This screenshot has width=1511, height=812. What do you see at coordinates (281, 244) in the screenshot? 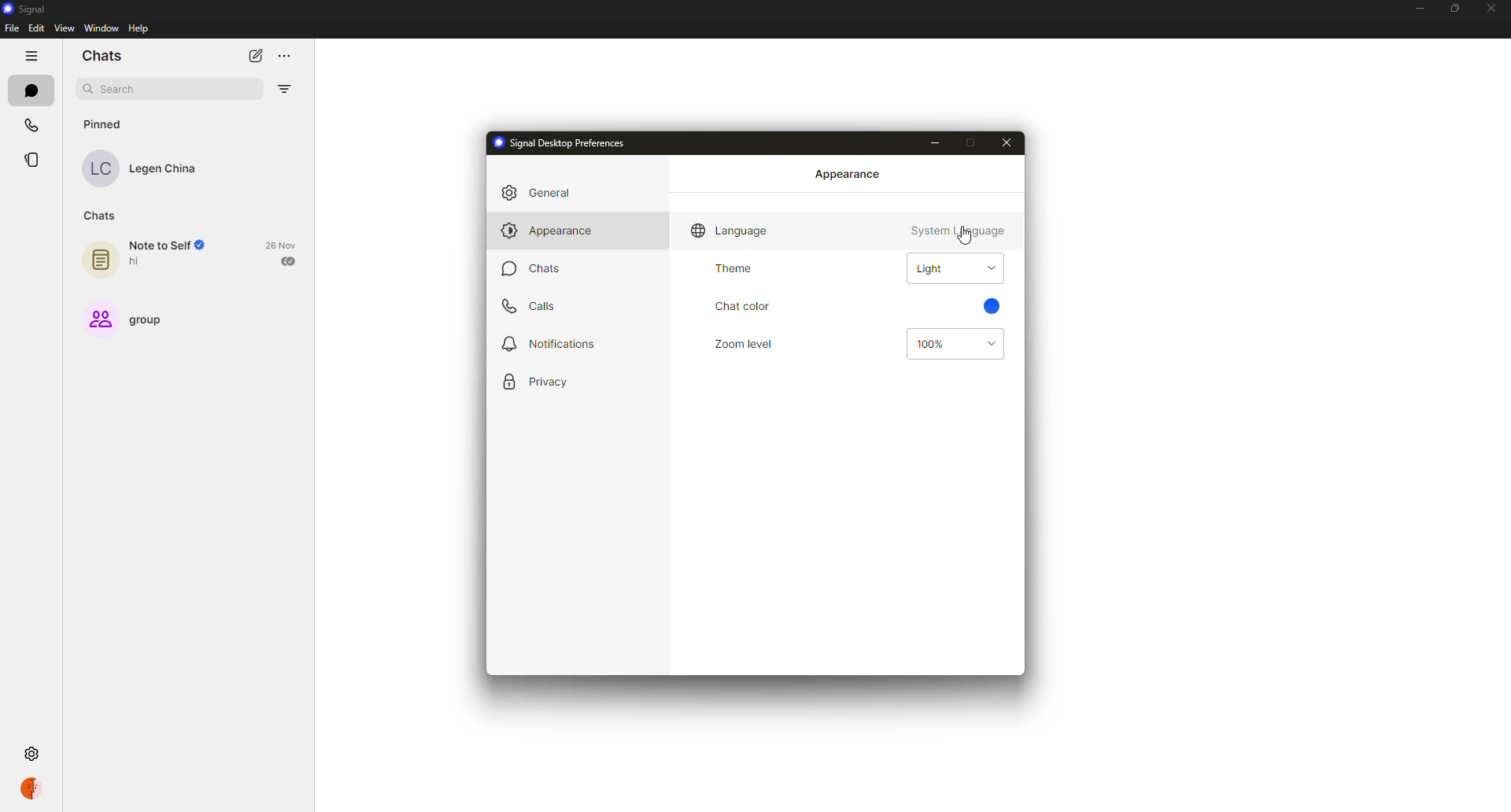
I see `date` at bounding box center [281, 244].